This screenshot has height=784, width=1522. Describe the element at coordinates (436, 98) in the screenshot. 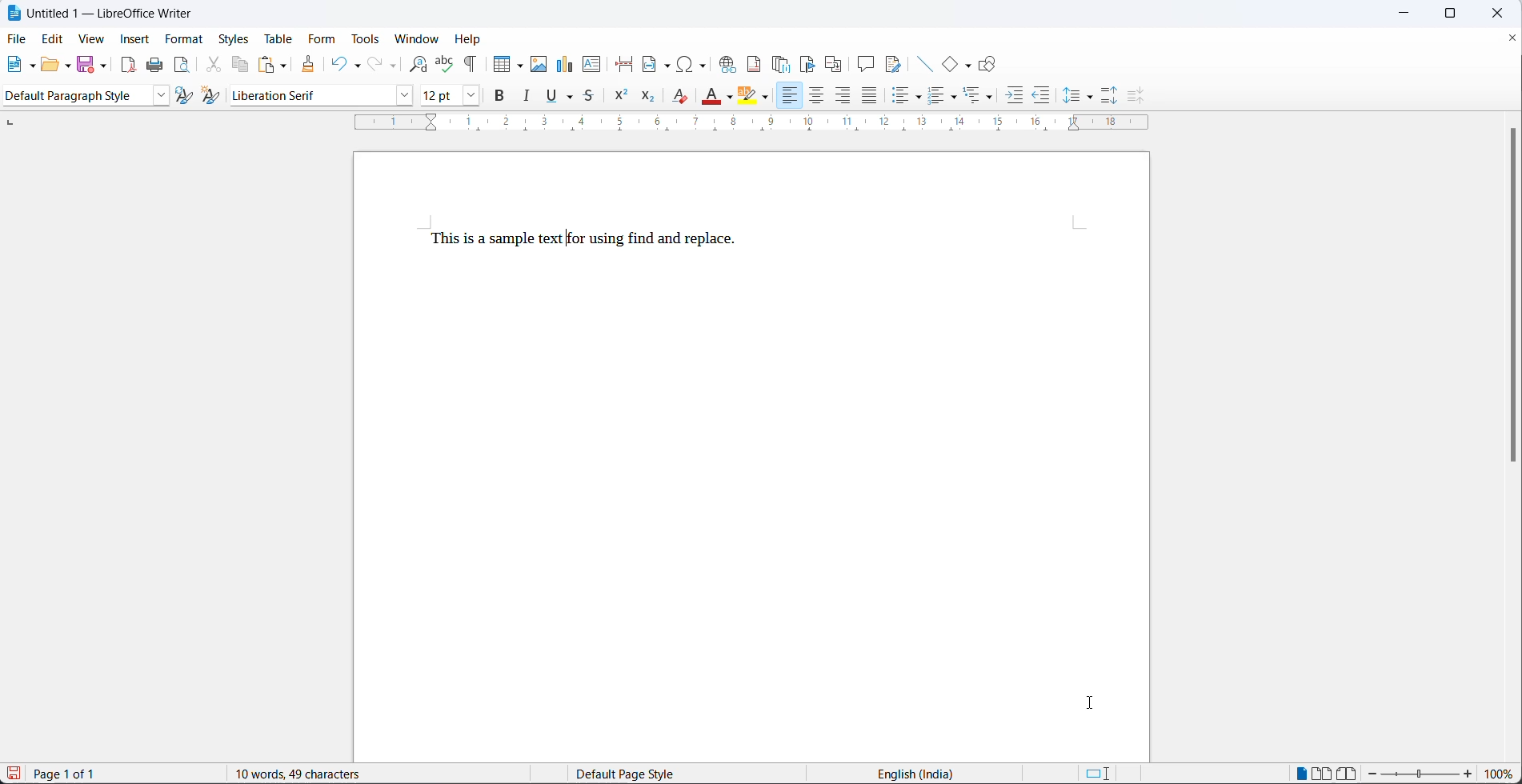

I see `font size` at that location.